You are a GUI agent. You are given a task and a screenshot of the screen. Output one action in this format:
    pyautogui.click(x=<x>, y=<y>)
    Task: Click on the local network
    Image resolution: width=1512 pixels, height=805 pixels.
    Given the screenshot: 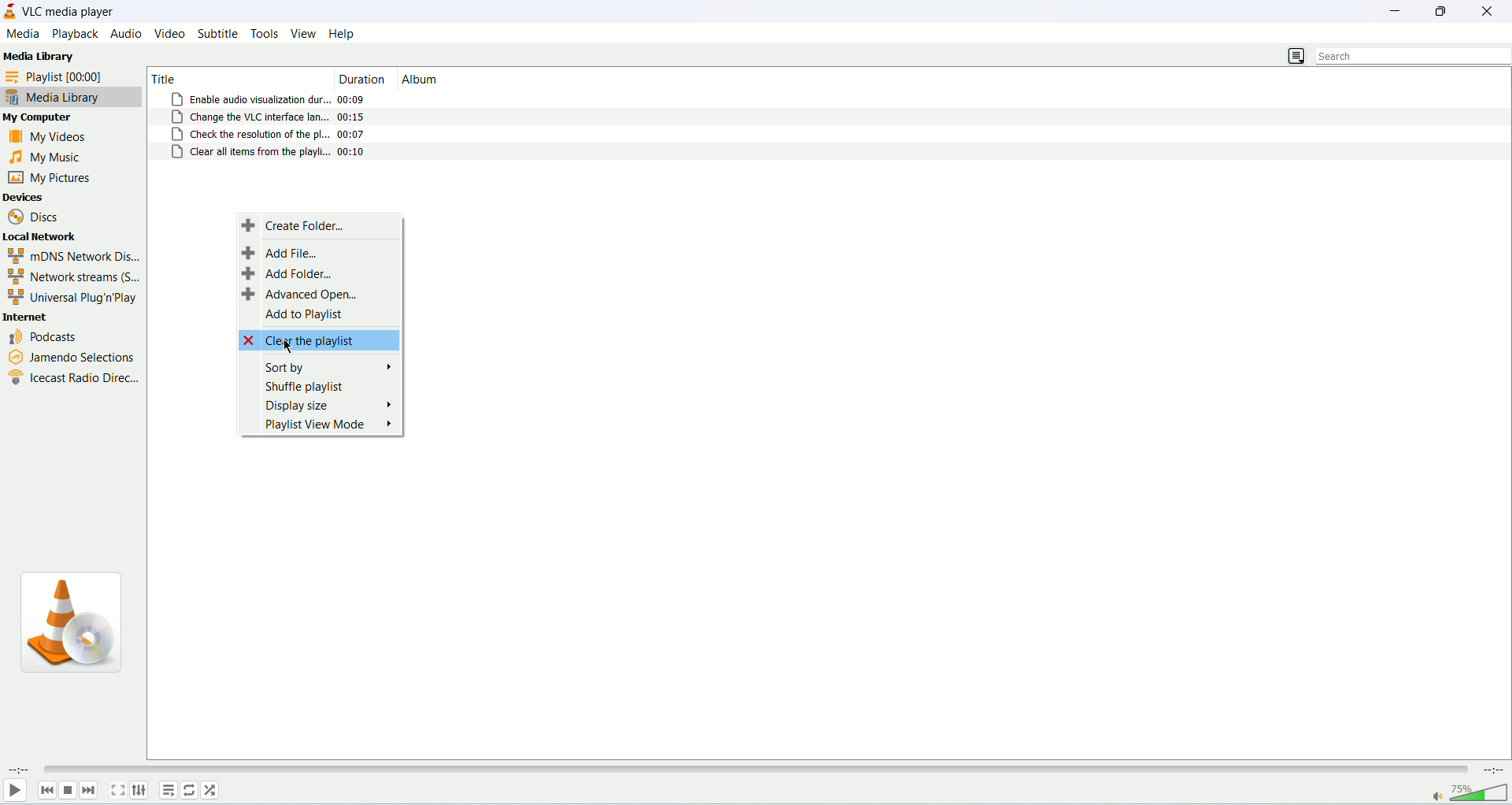 What is the action you would take?
    pyautogui.click(x=40, y=236)
    